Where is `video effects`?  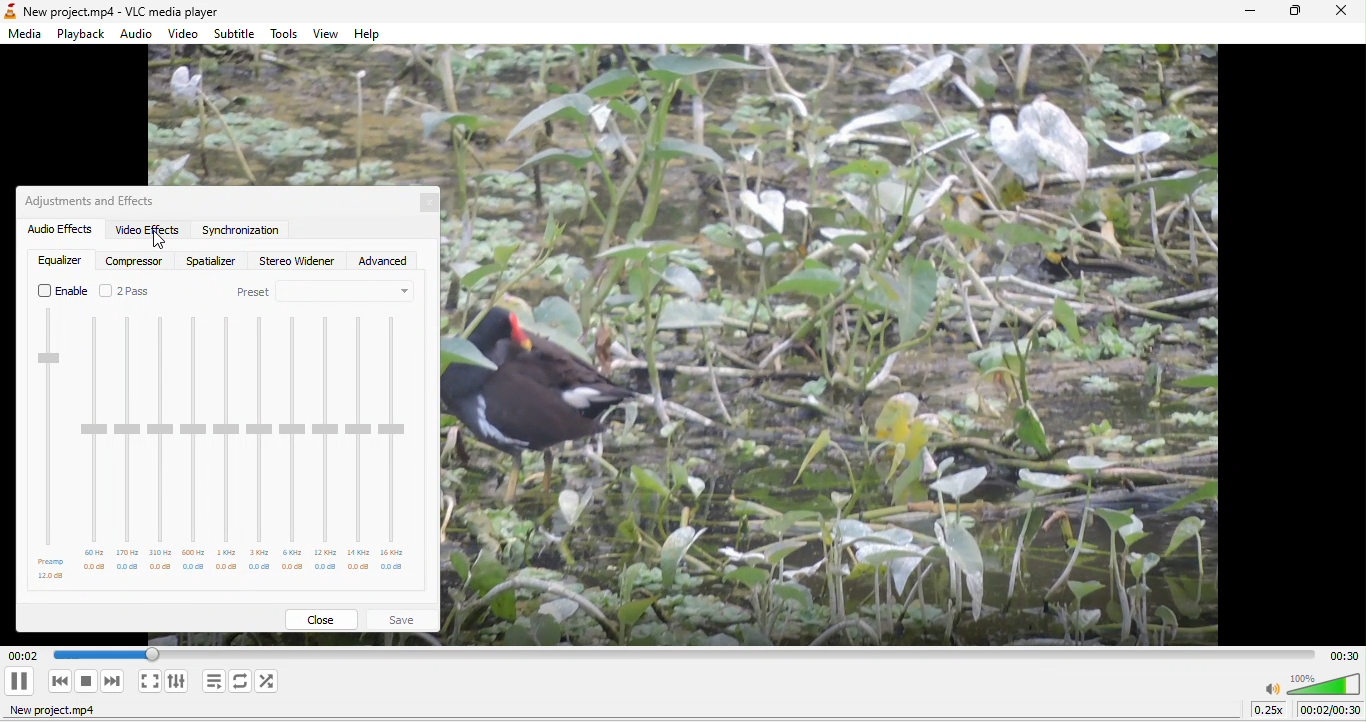 video effects is located at coordinates (146, 231).